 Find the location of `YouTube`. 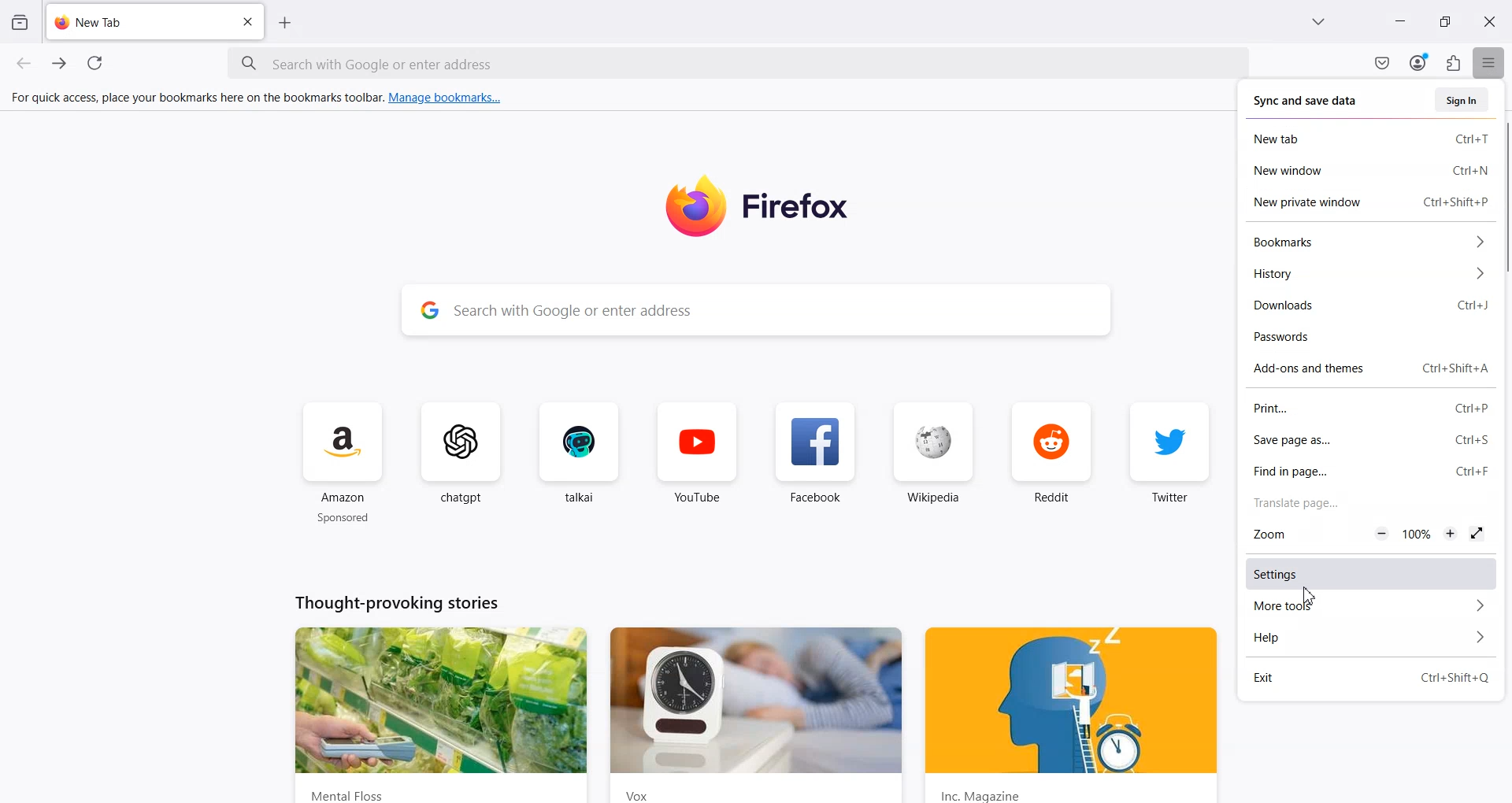

YouTube is located at coordinates (698, 464).